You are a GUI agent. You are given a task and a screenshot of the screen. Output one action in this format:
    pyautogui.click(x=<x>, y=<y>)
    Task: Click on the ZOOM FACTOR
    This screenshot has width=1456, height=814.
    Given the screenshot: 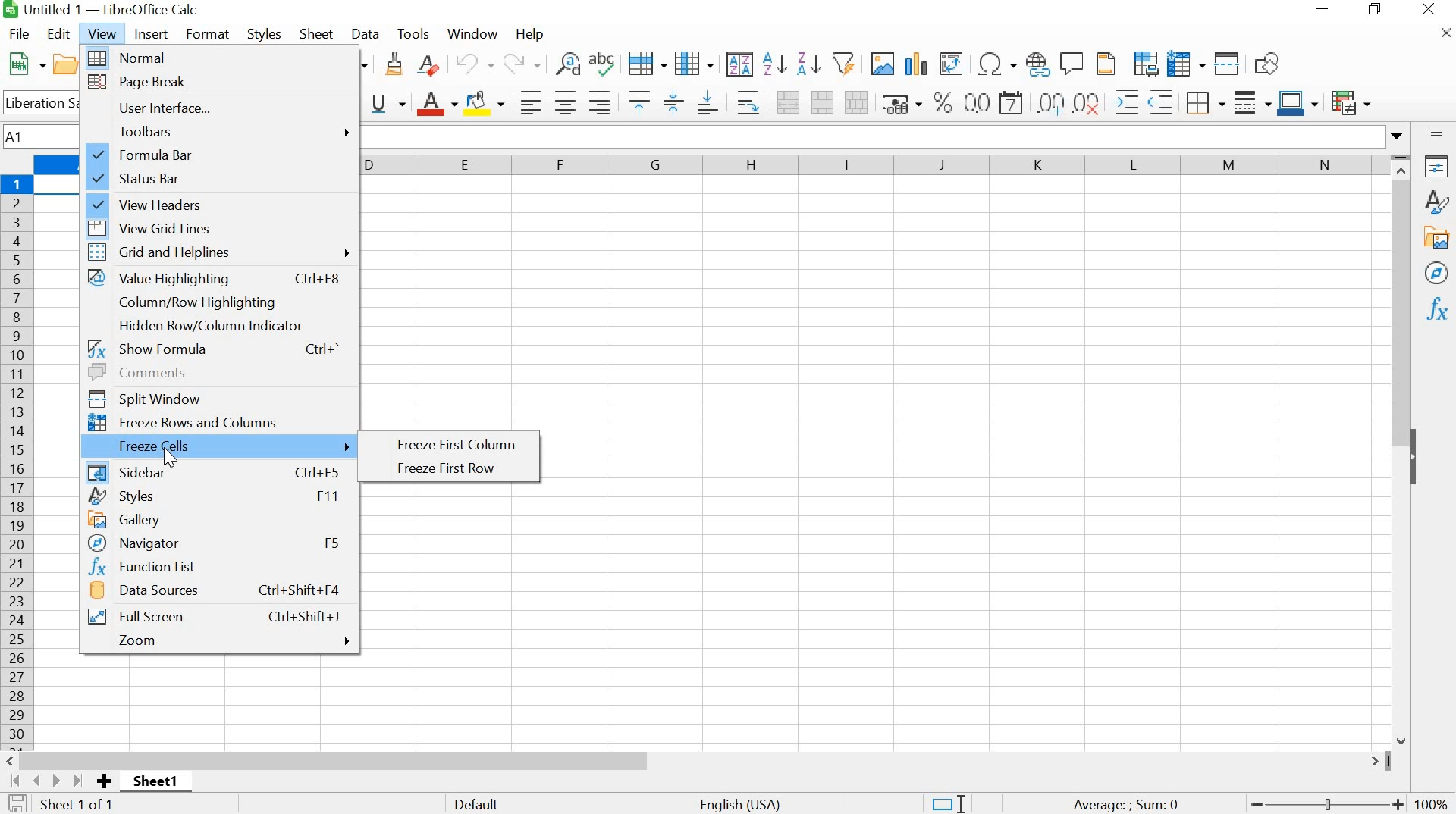 What is the action you would take?
    pyautogui.click(x=1433, y=794)
    